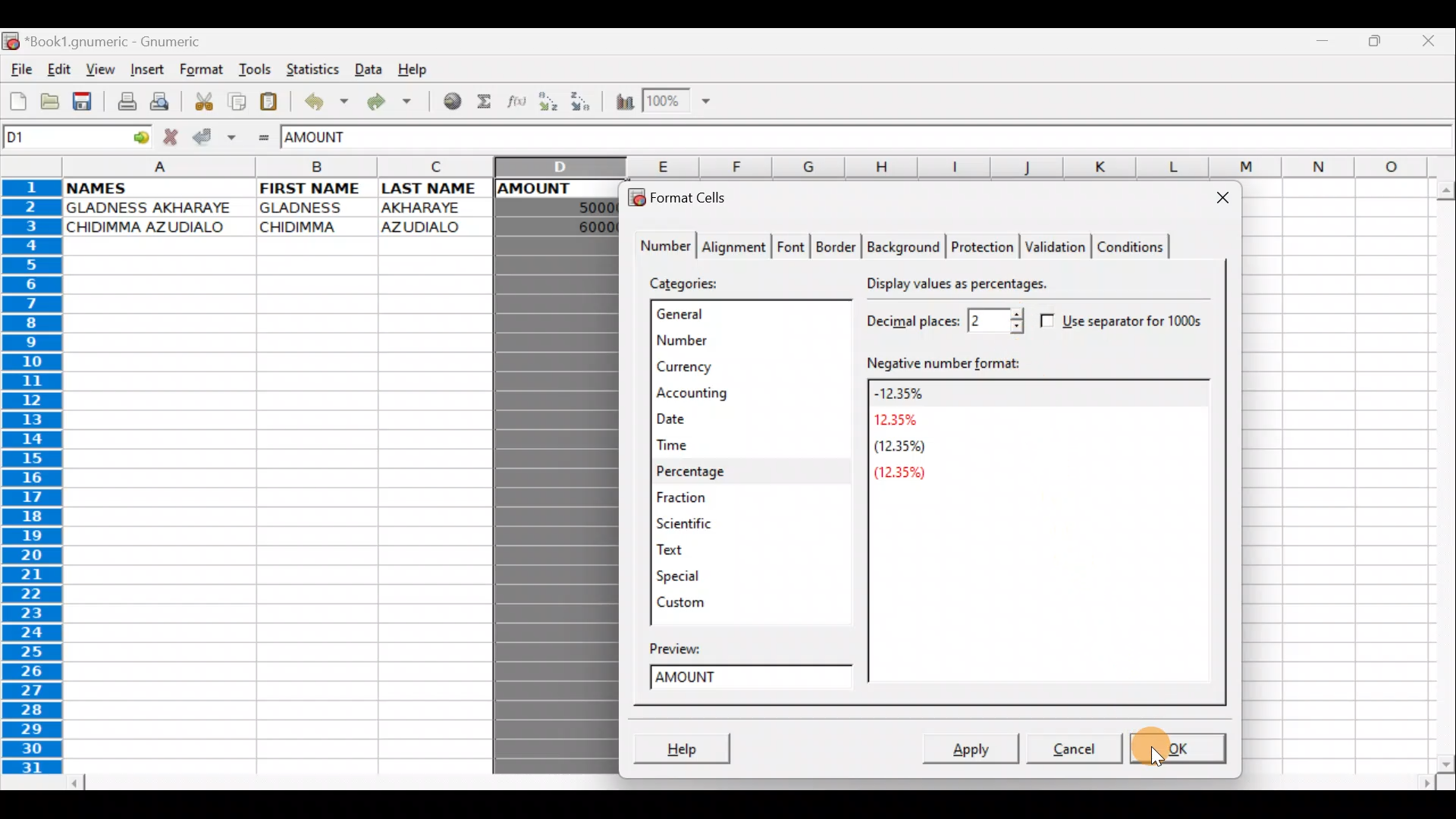 The height and width of the screenshot is (819, 1456). Describe the element at coordinates (705, 525) in the screenshot. I see `Scientific` at that location.